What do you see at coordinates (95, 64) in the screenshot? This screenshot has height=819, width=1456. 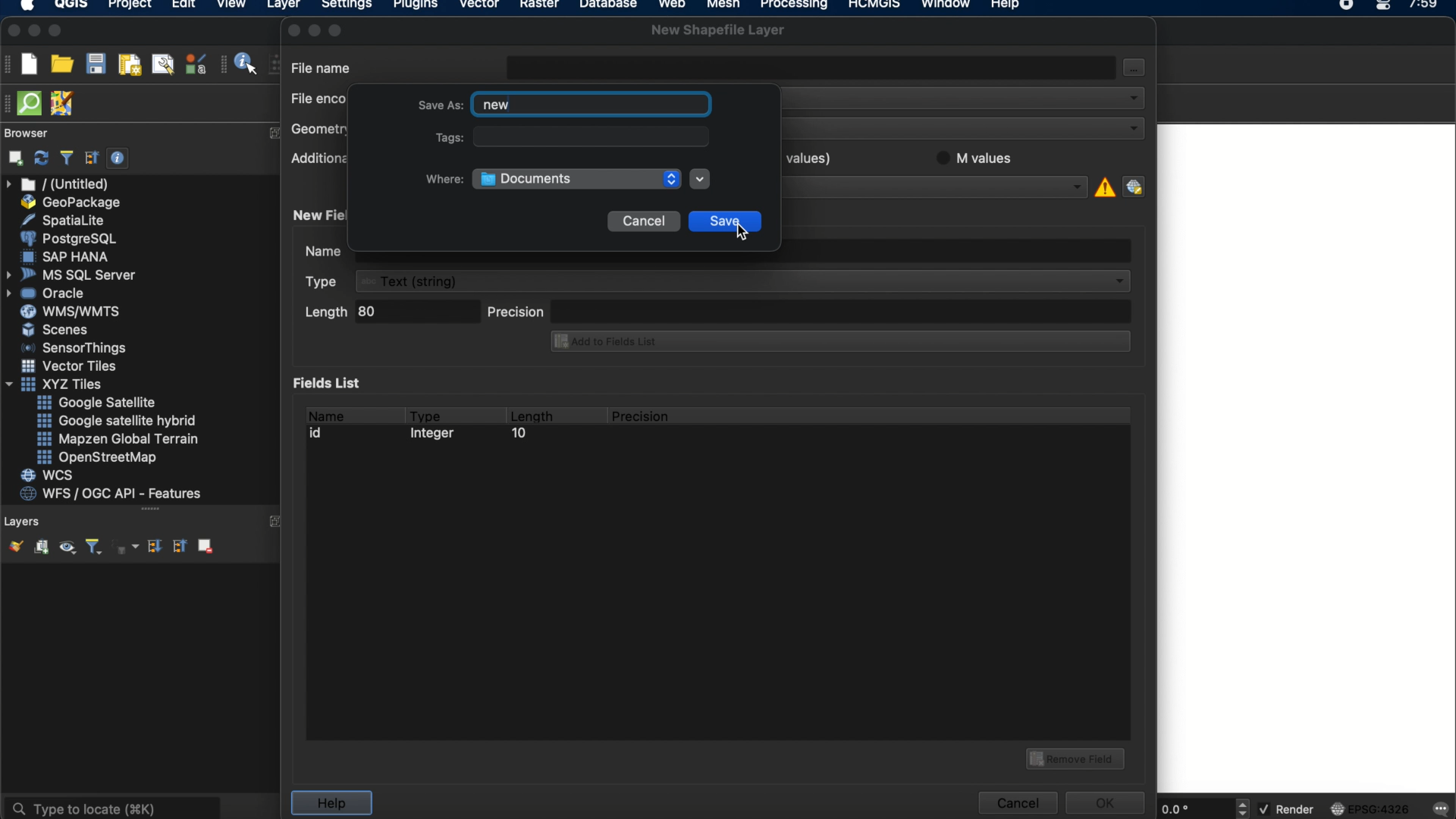 I see `save project` at bounding box center [95, 64].